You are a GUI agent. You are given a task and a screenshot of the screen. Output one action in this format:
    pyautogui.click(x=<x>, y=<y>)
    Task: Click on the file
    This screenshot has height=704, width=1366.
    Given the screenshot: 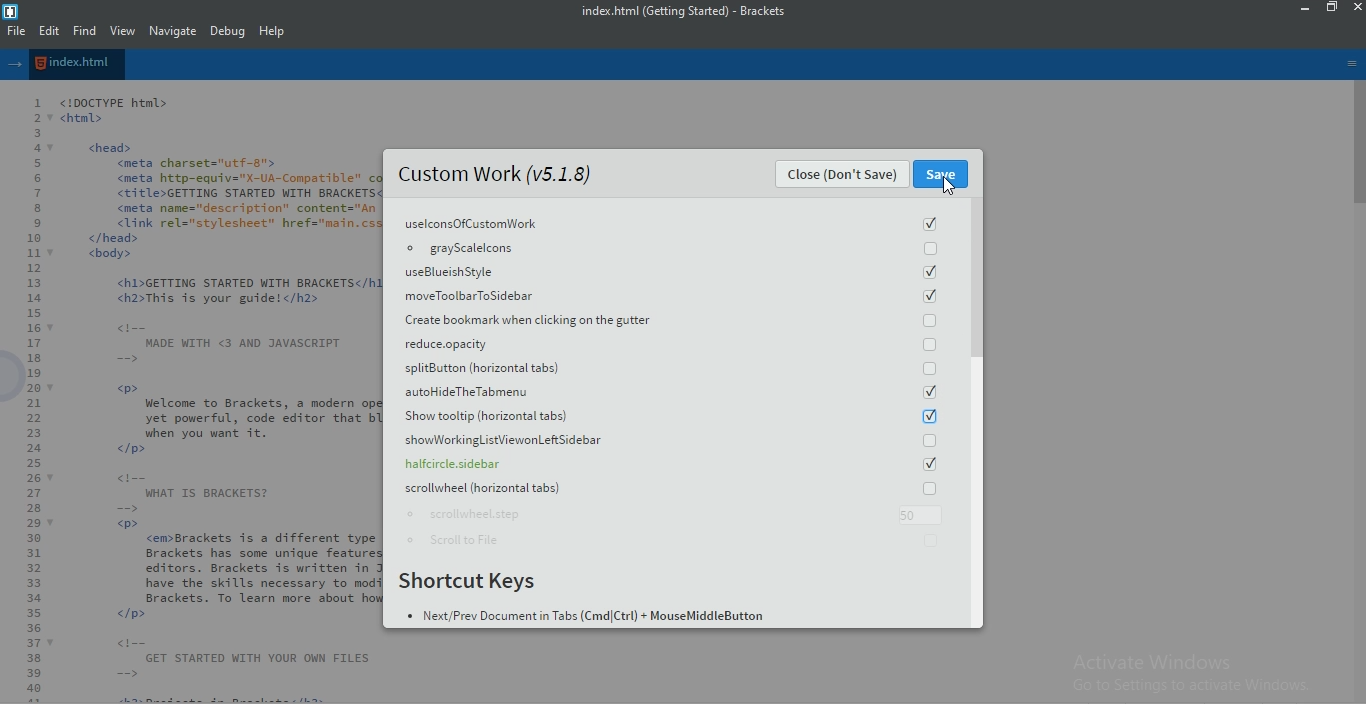 What is the action you would take?
    pyautogui.click(x=15, y=31)
    